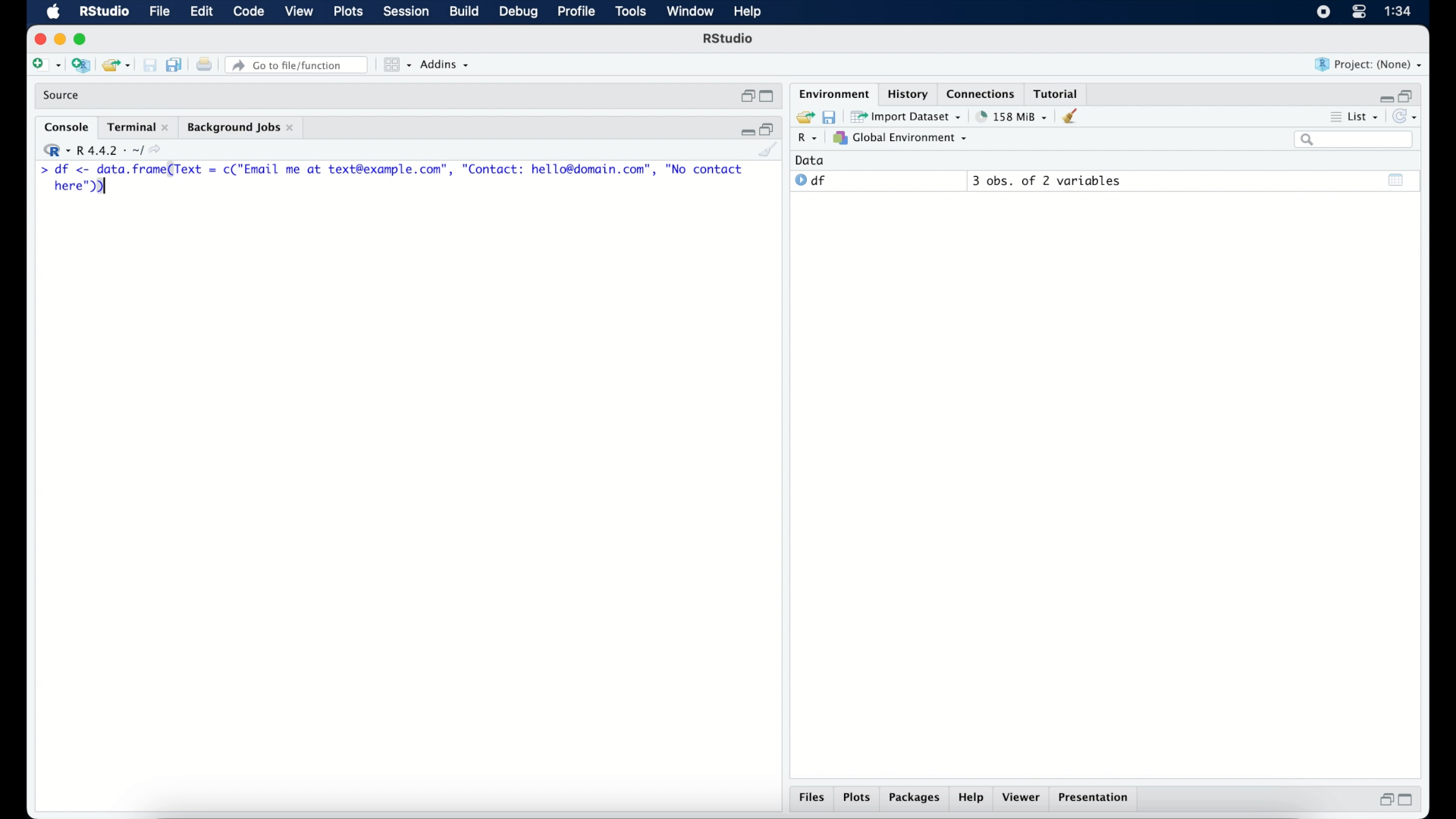 This screenshot has height=819, width=1456. What do you see at coordinates (805, 115) in the screenshot?
I see `load workspace` at bounding box center [805, 115].